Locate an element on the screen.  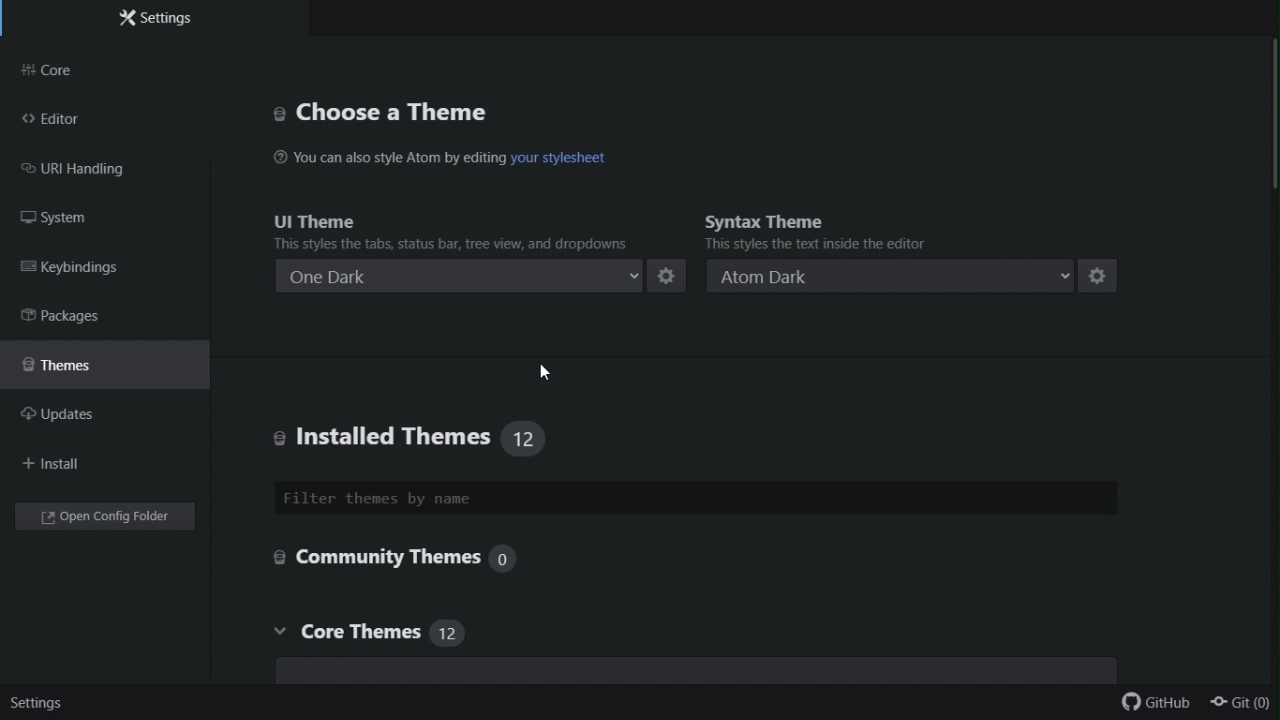
Core themes is located at coordinates (366, 632).